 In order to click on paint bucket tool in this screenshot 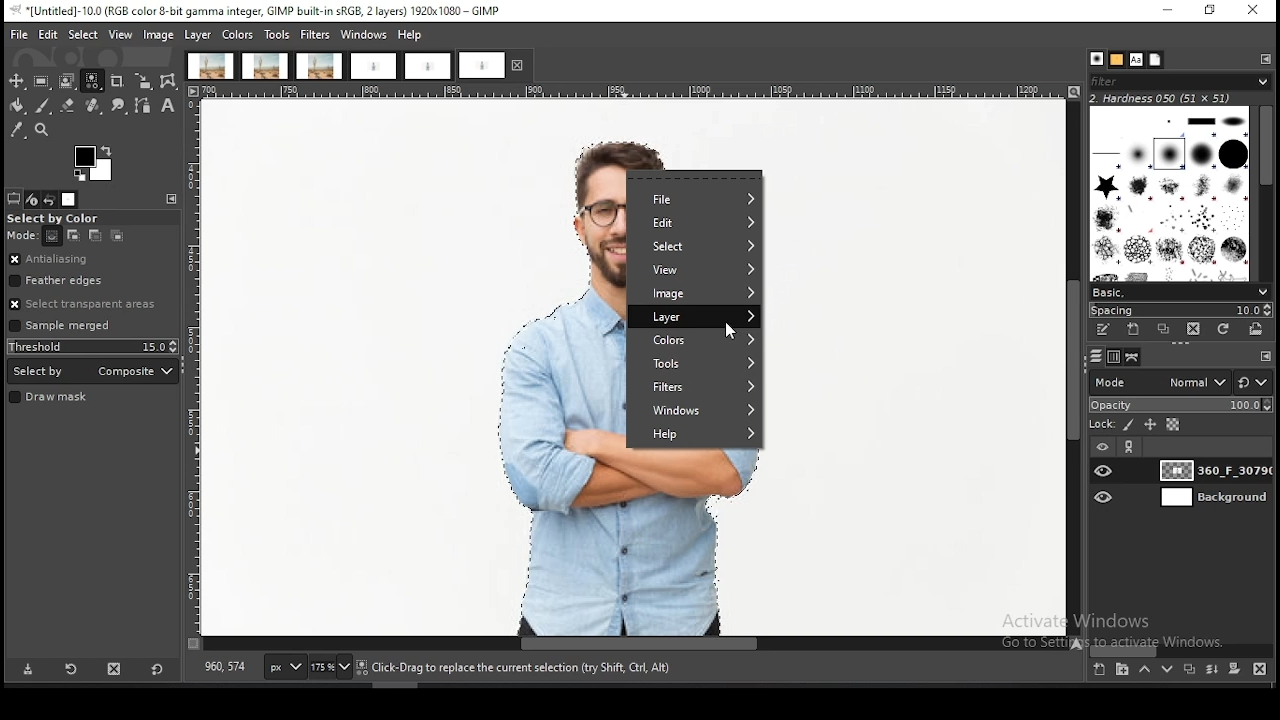, I will do `click(15, 106)`.